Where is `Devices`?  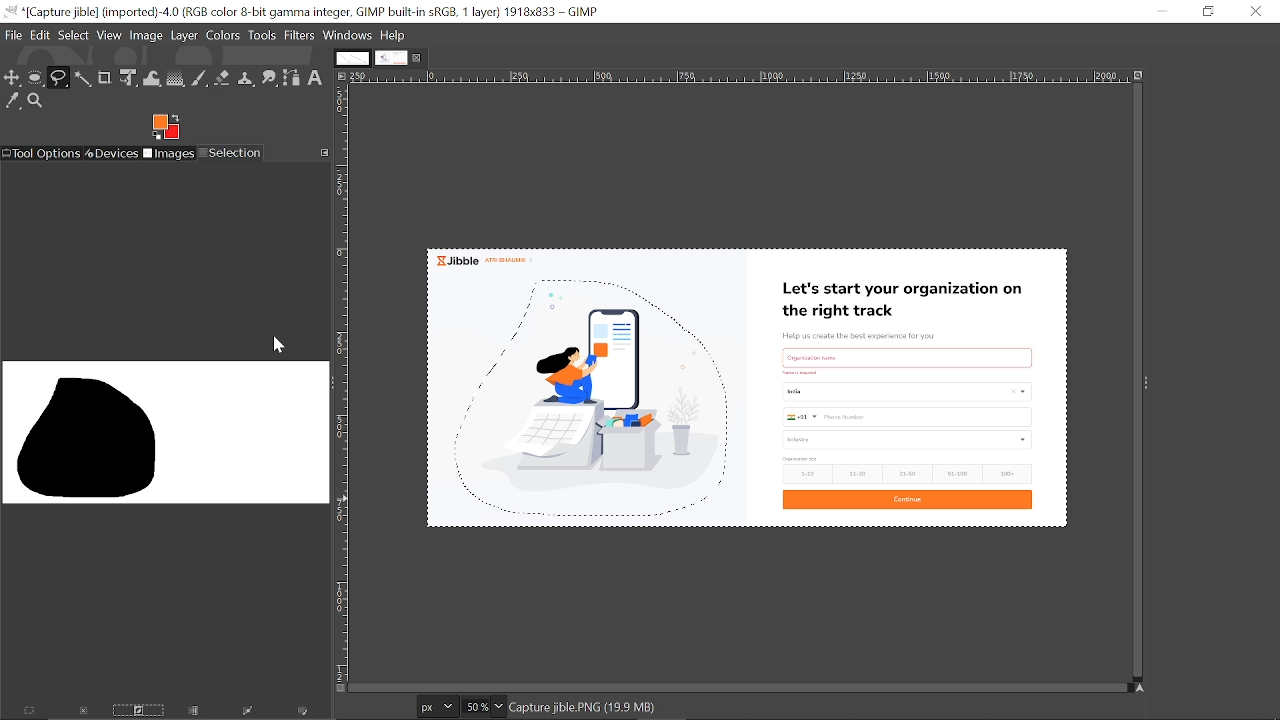
Devices is located at coordinates (112, 154).